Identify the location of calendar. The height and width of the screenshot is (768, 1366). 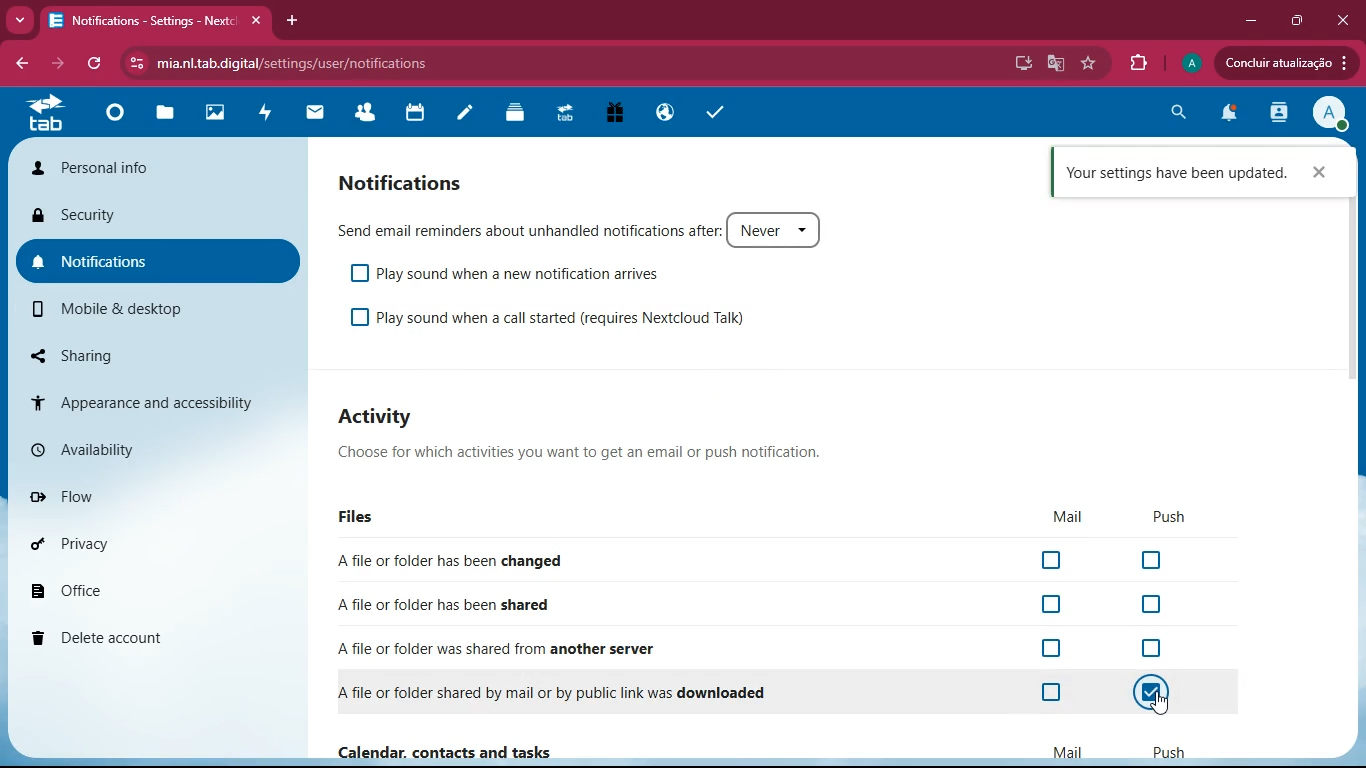
(414, 114).